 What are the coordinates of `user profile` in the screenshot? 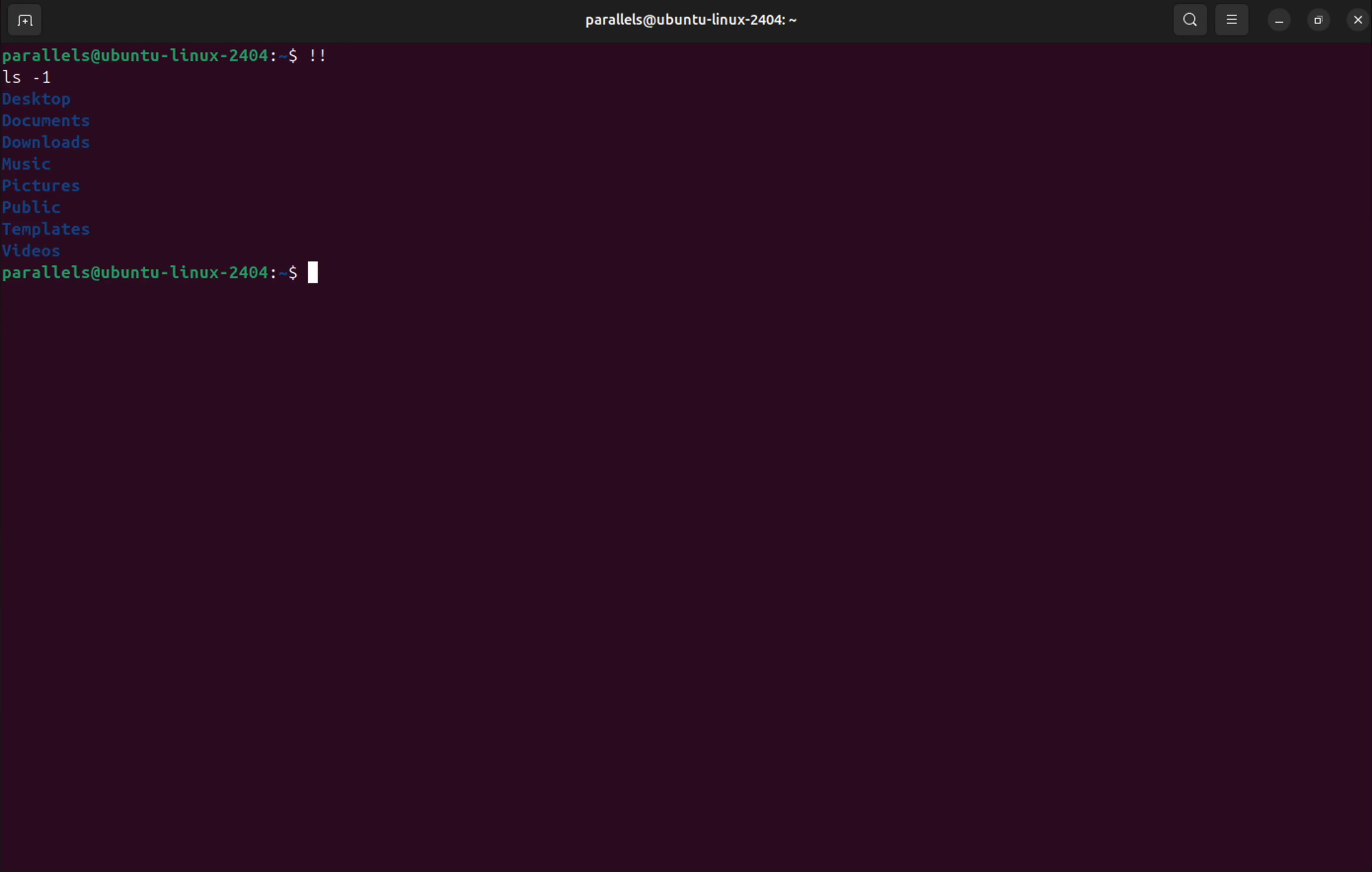 It's located at (697, 19).